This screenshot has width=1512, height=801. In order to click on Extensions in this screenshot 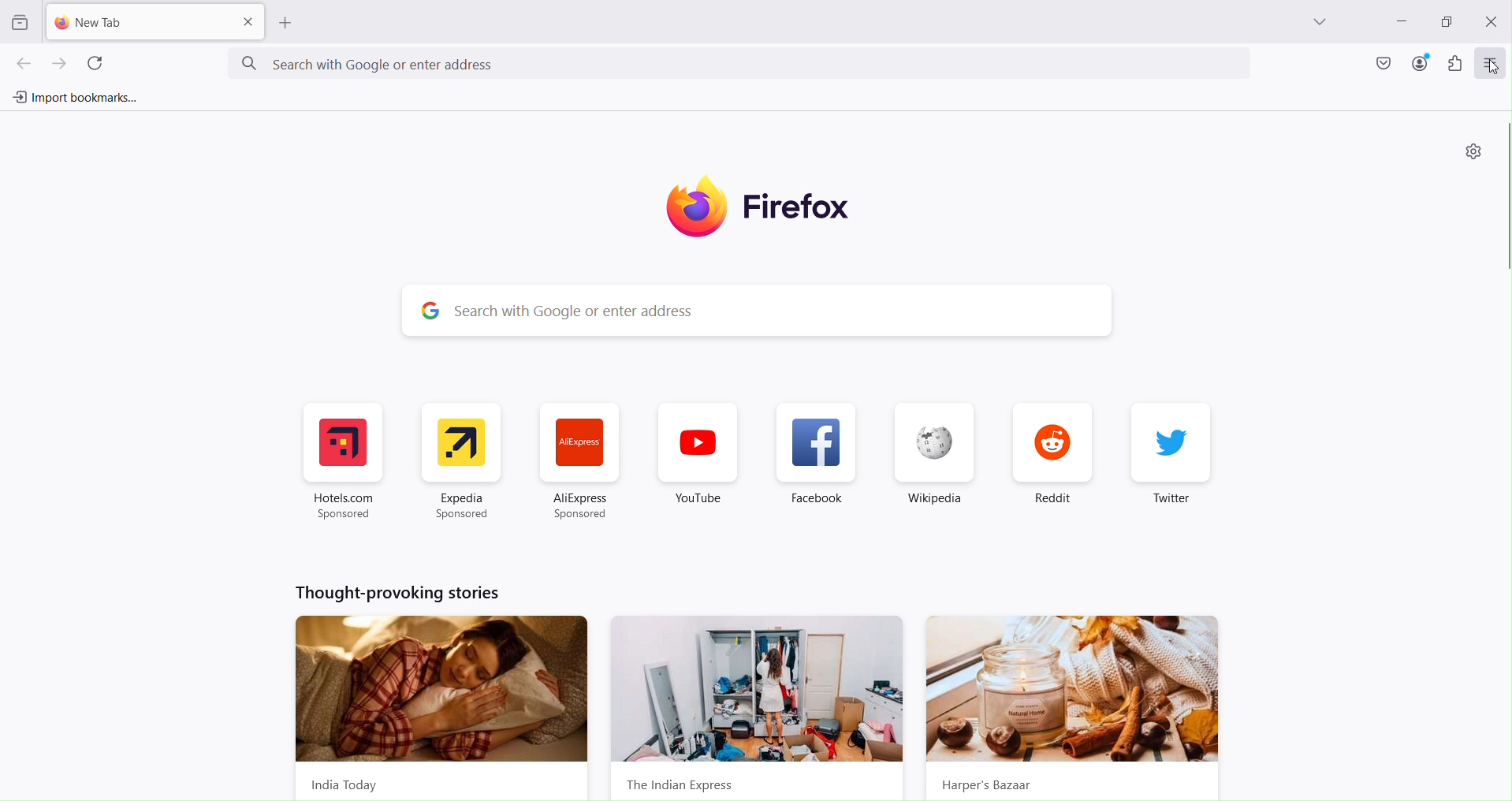, I will do `click(1456, 63)`.